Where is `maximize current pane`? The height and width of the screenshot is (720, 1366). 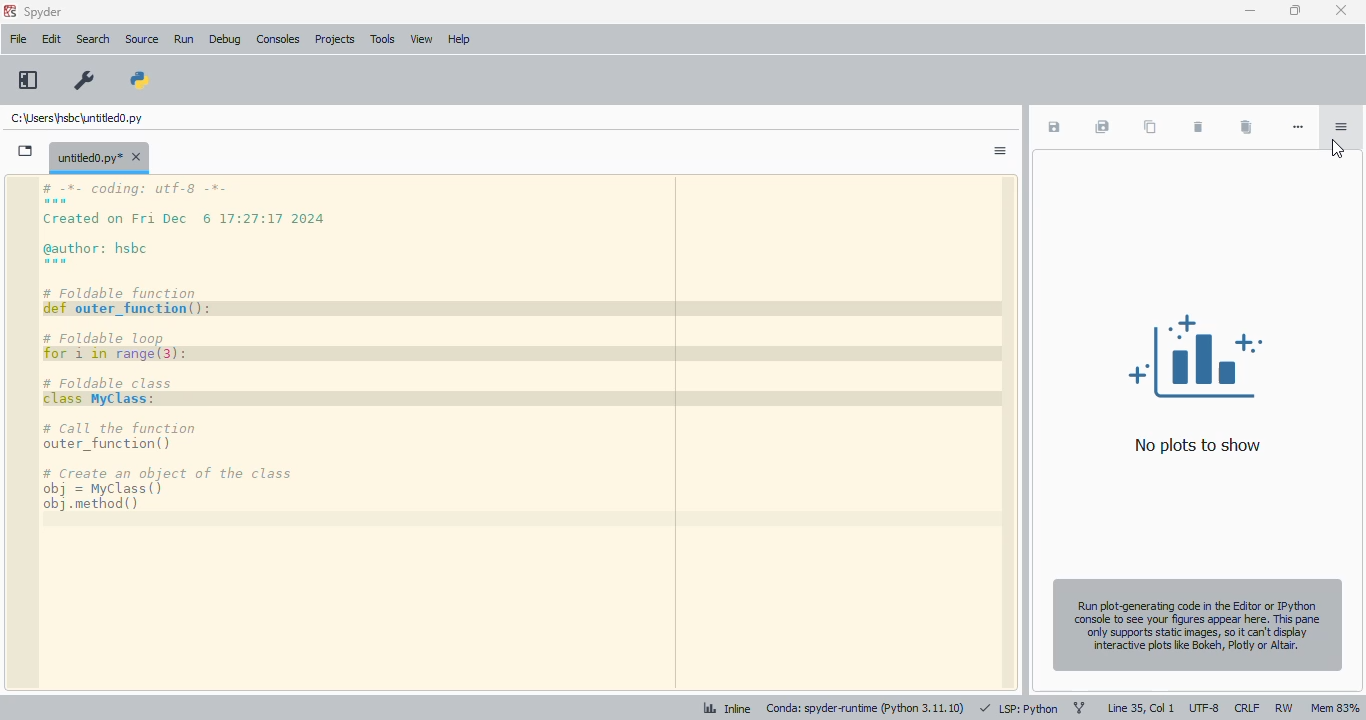
maximize current pane is located at coordinates (29, 80).